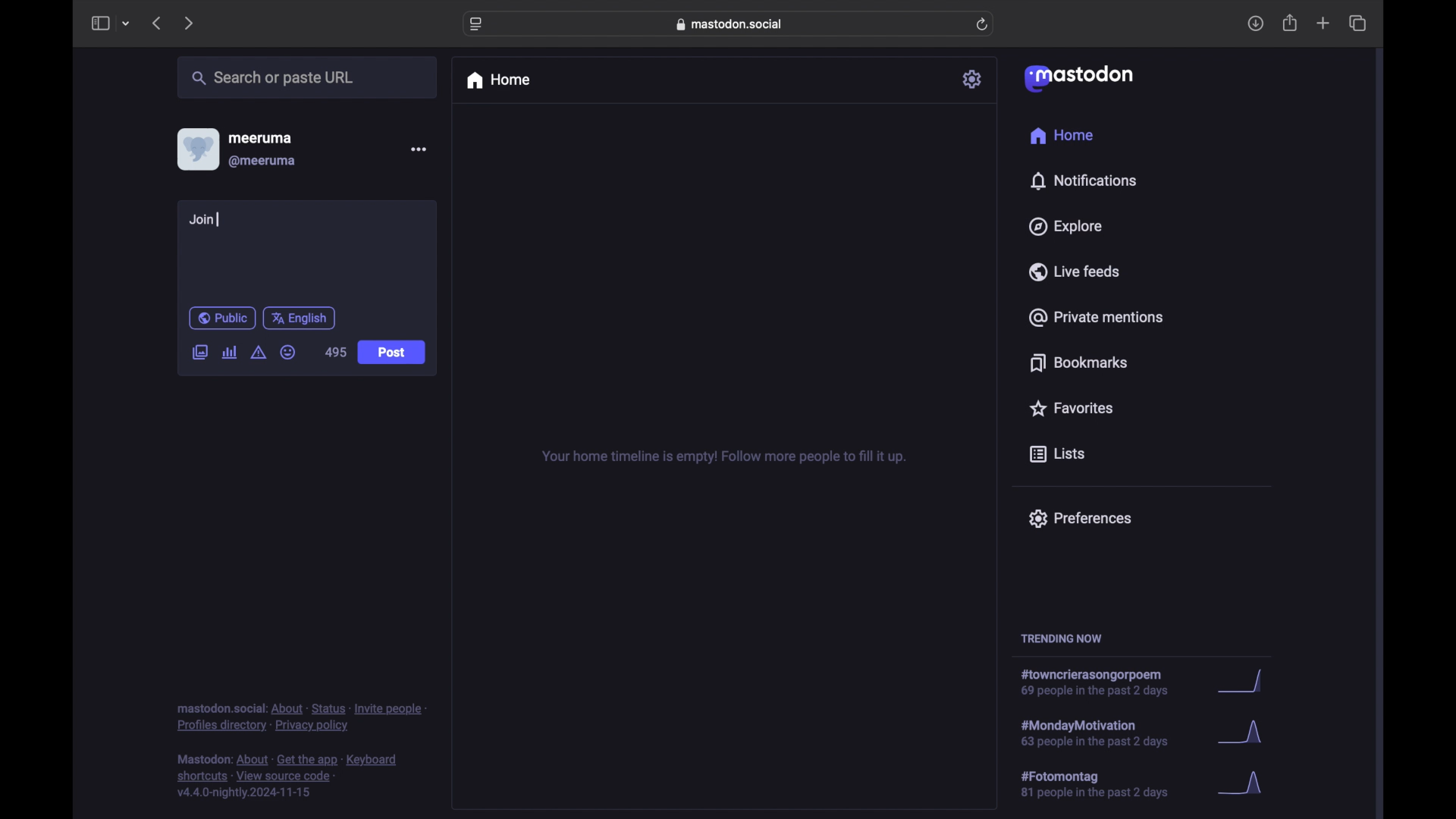  Describe the element at coordinates (1103, 683) in the screenshot. I see `hashtag trend` at that location.